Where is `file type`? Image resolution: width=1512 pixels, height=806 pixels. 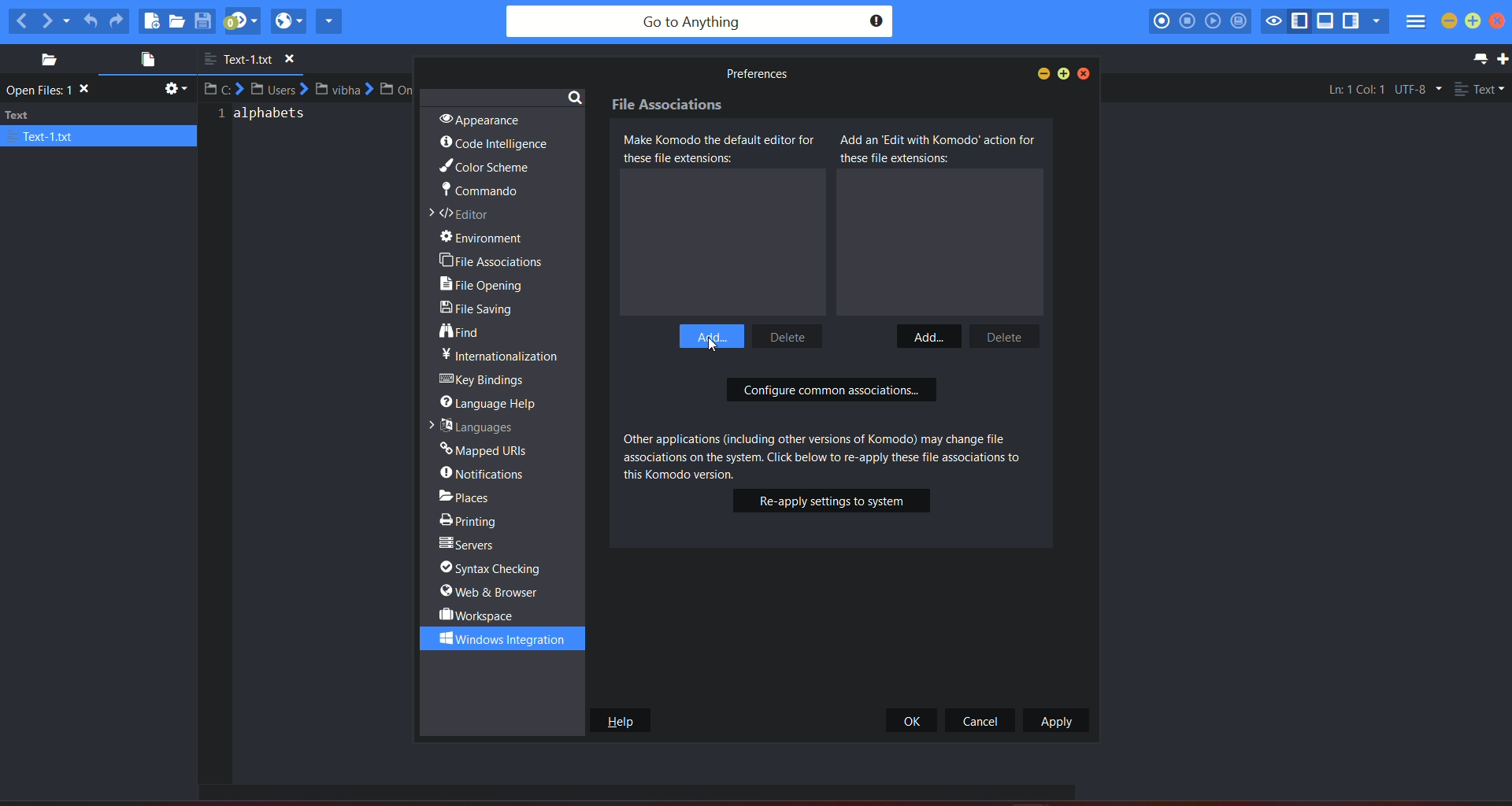
file type is located at coordinates (1480, 91).